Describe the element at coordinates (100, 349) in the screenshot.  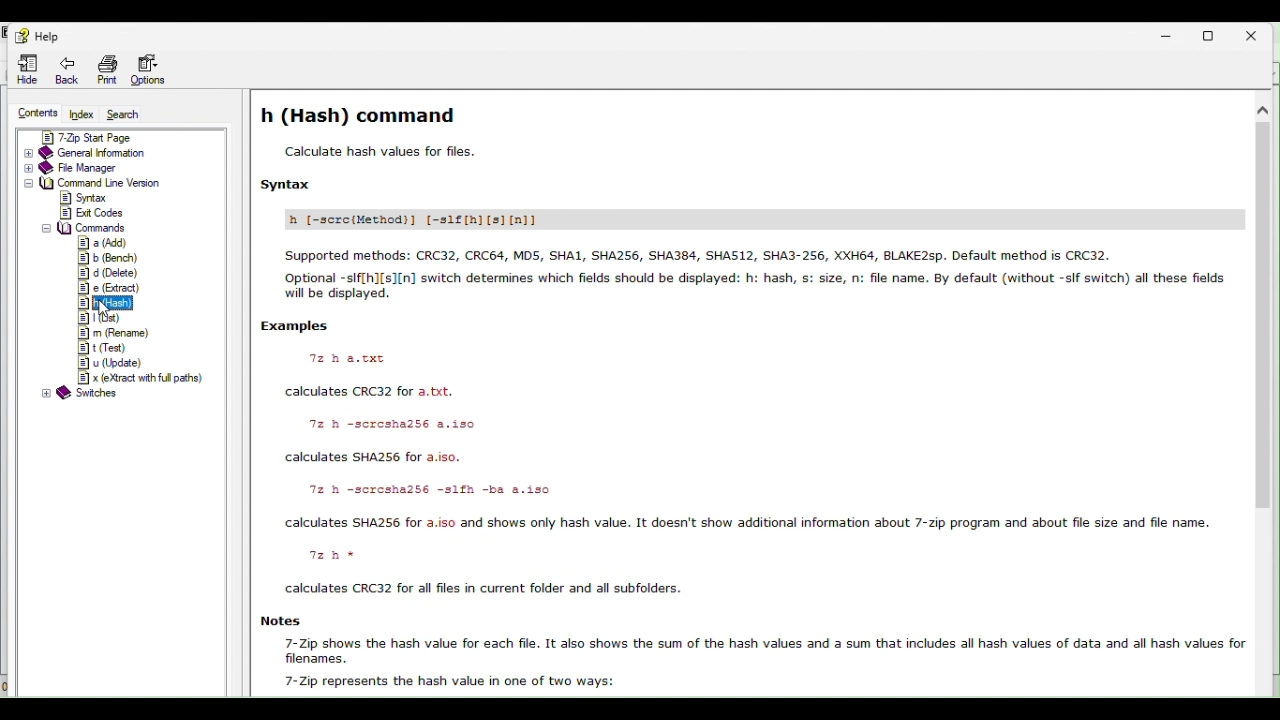
I see `t(test)` at that location.